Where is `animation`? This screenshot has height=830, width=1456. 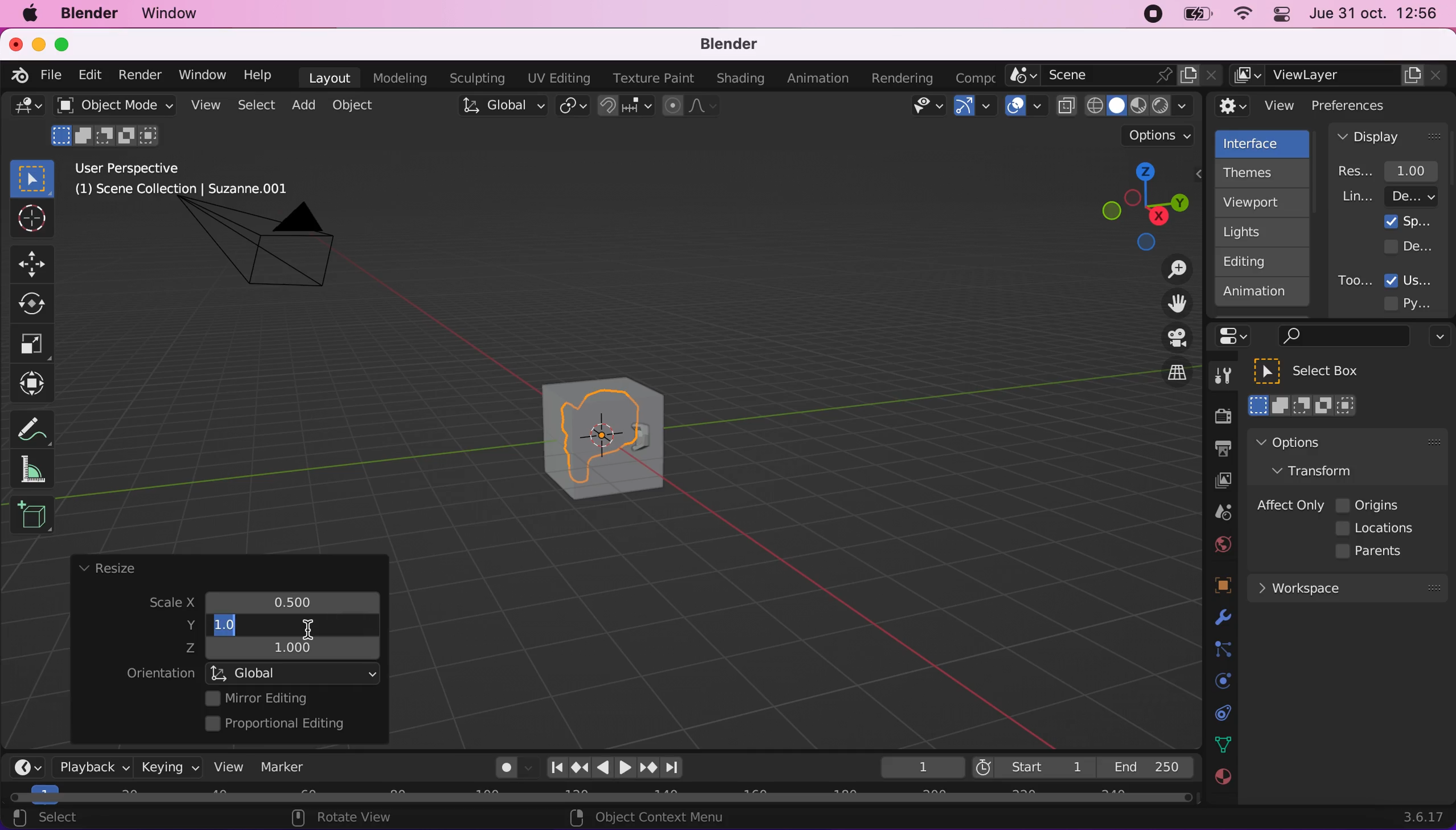
animation is located at coordinates (821, 79).